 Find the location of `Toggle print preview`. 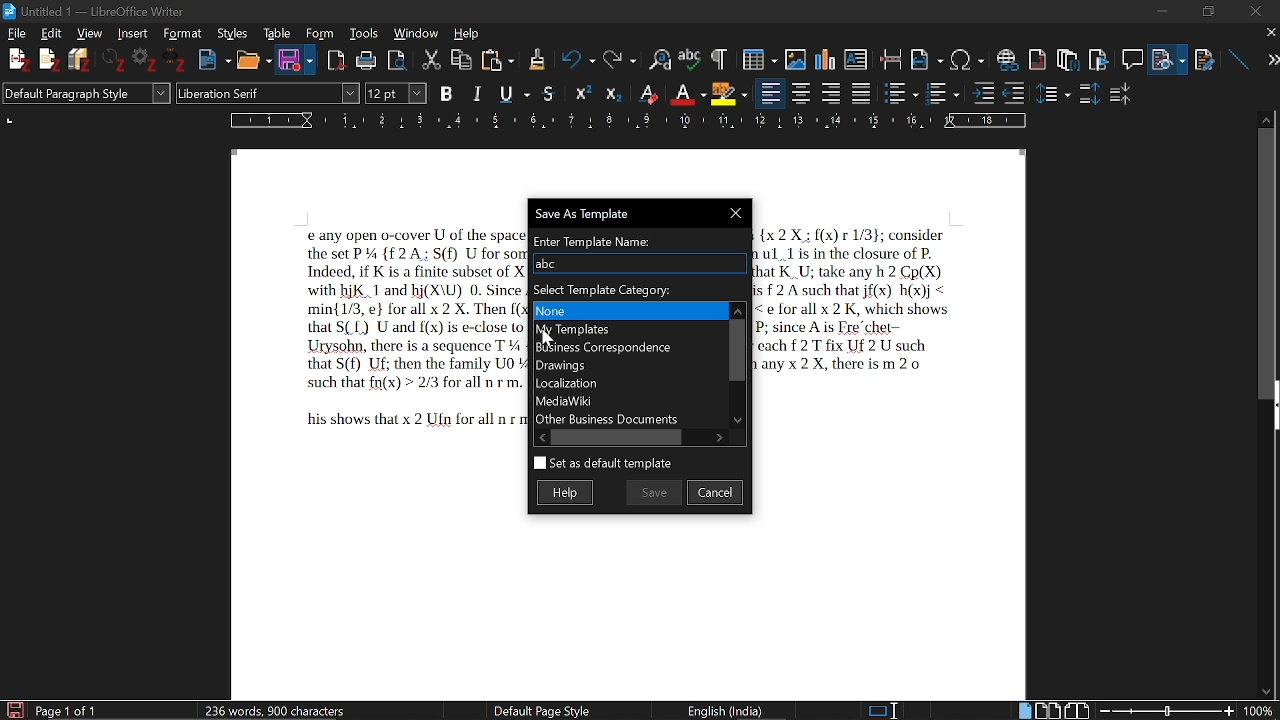

Toggle print preview is located at coordinates (402, 58).